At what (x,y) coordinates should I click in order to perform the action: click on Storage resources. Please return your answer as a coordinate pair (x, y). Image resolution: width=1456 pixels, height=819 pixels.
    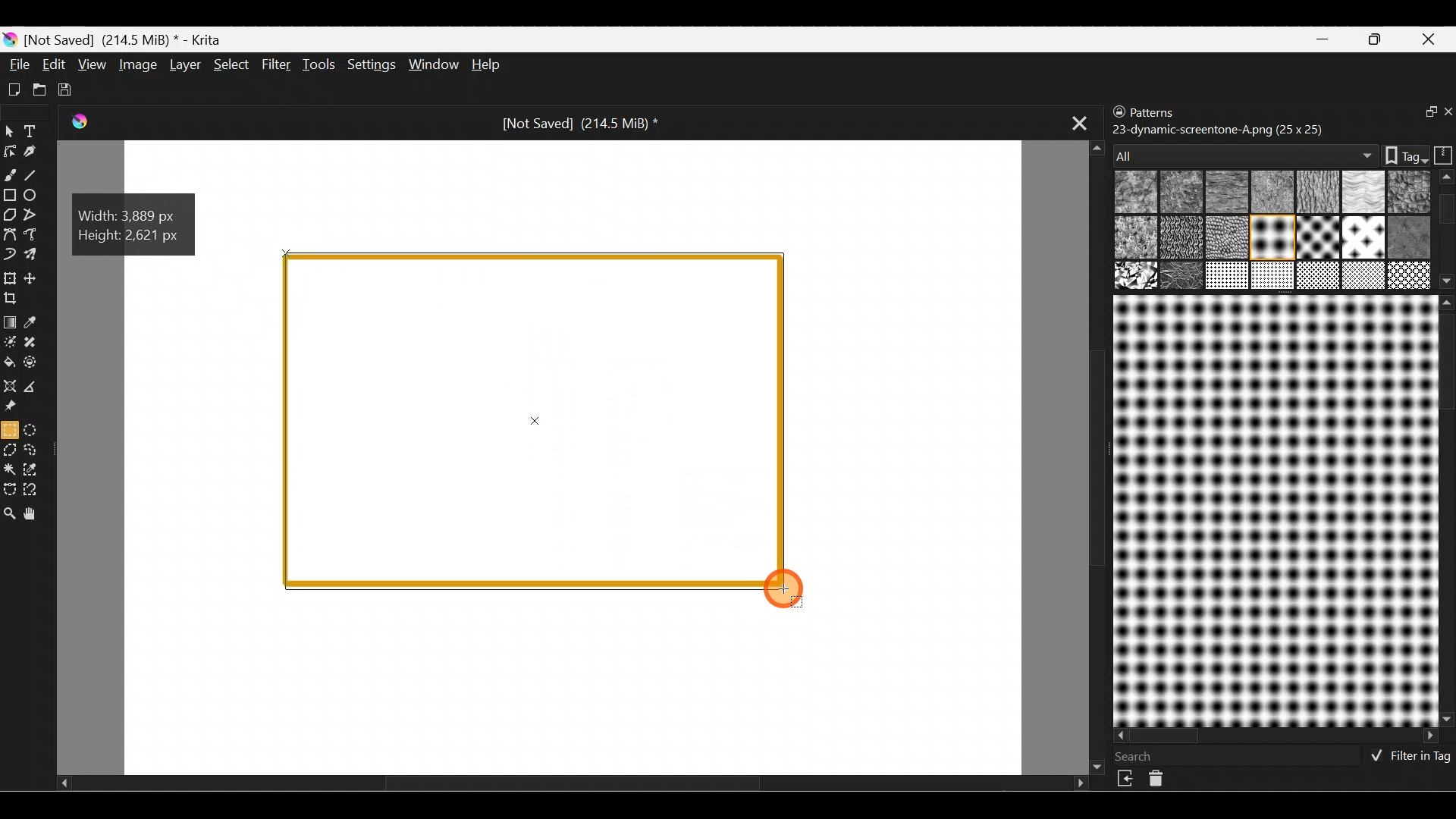
    Looking at the image, I should click on (1441, 154).